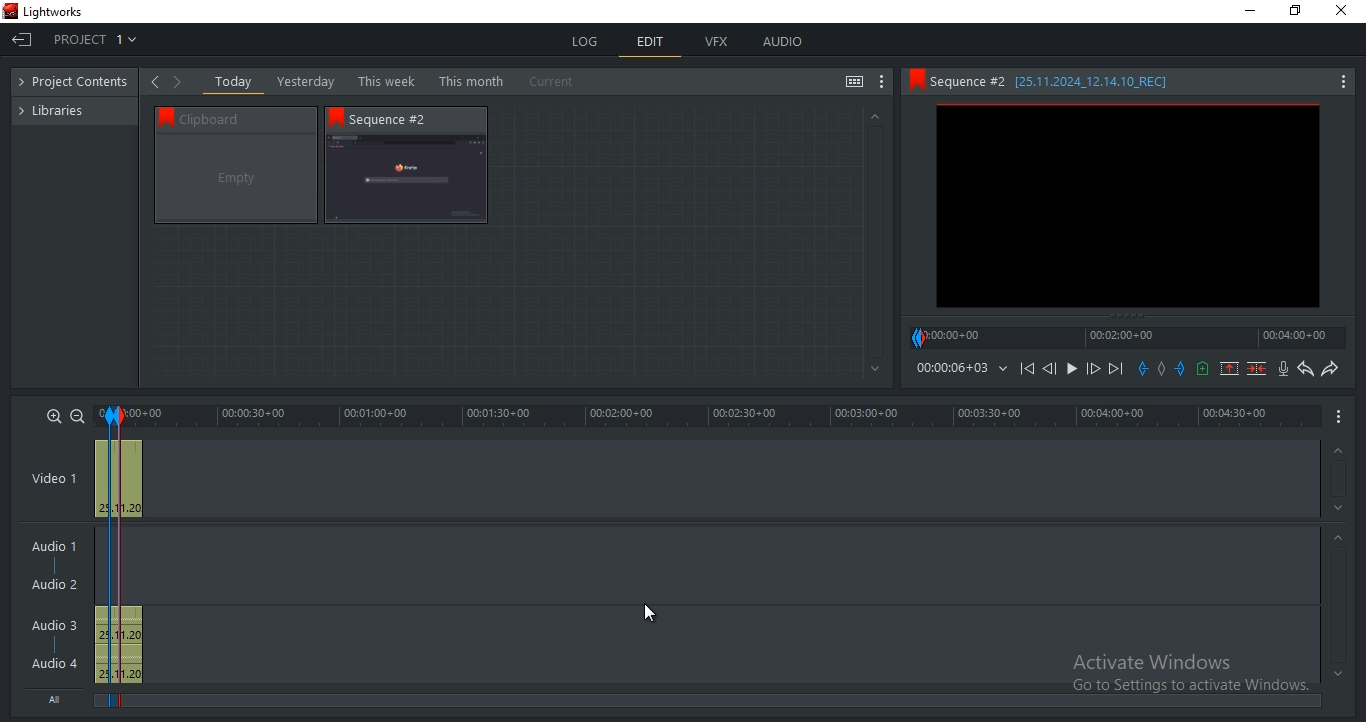 This screenshot has width=1366, height=722. Describe the element at coordinates (1091, 369) in the screenshot. I see `Nudge one frame forward` at that location.